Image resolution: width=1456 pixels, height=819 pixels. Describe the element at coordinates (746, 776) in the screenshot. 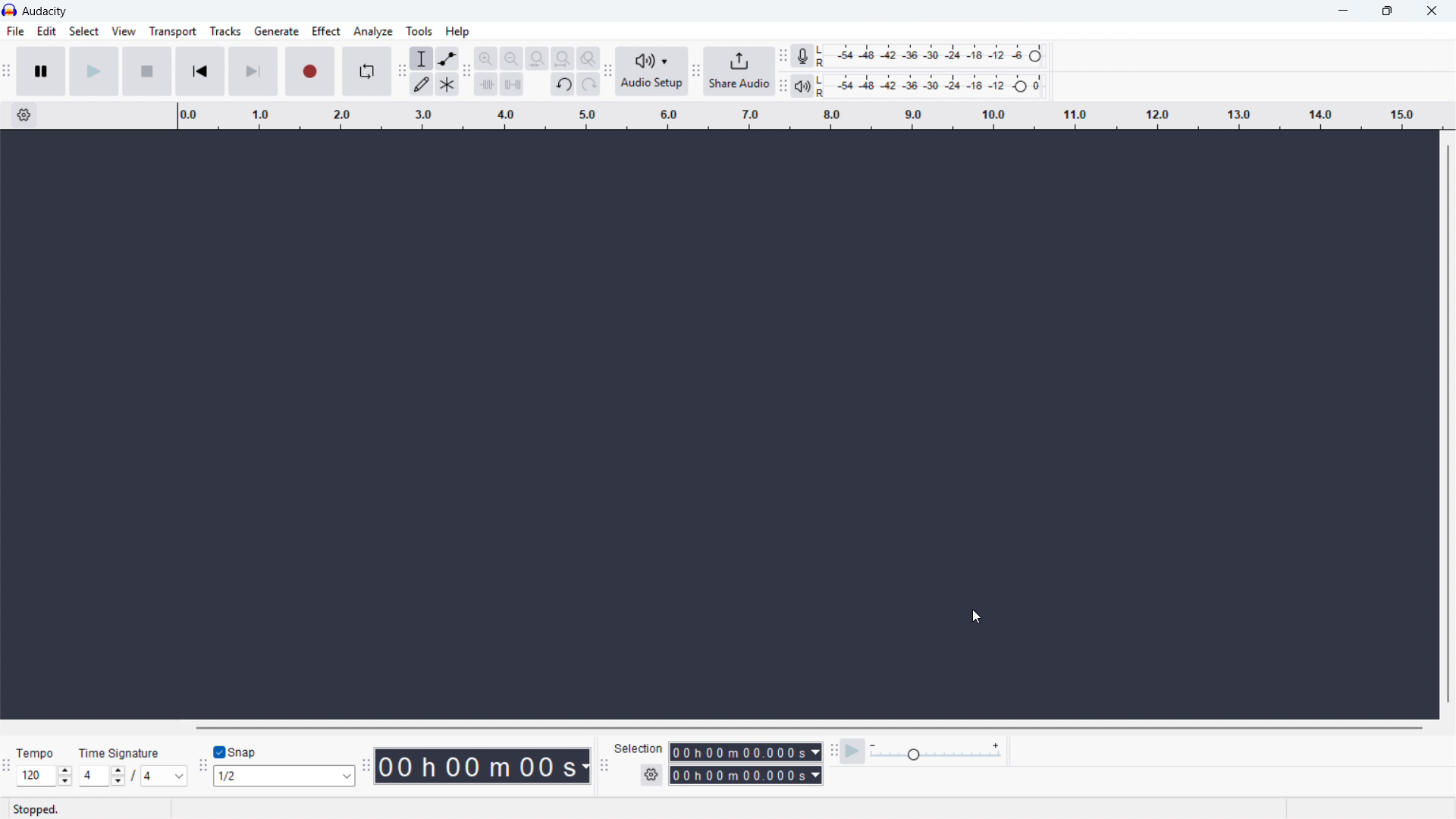

I see `end time` at that location.